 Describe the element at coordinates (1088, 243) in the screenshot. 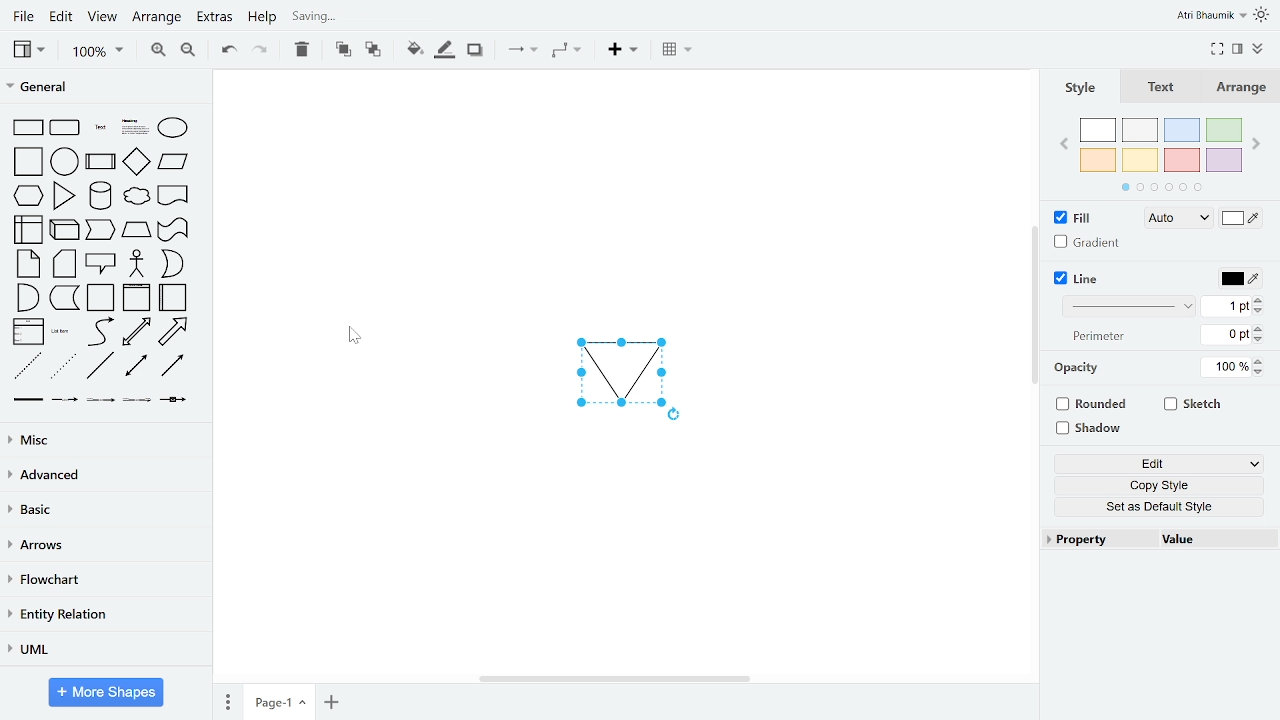

I see `fill gradient` at that location.